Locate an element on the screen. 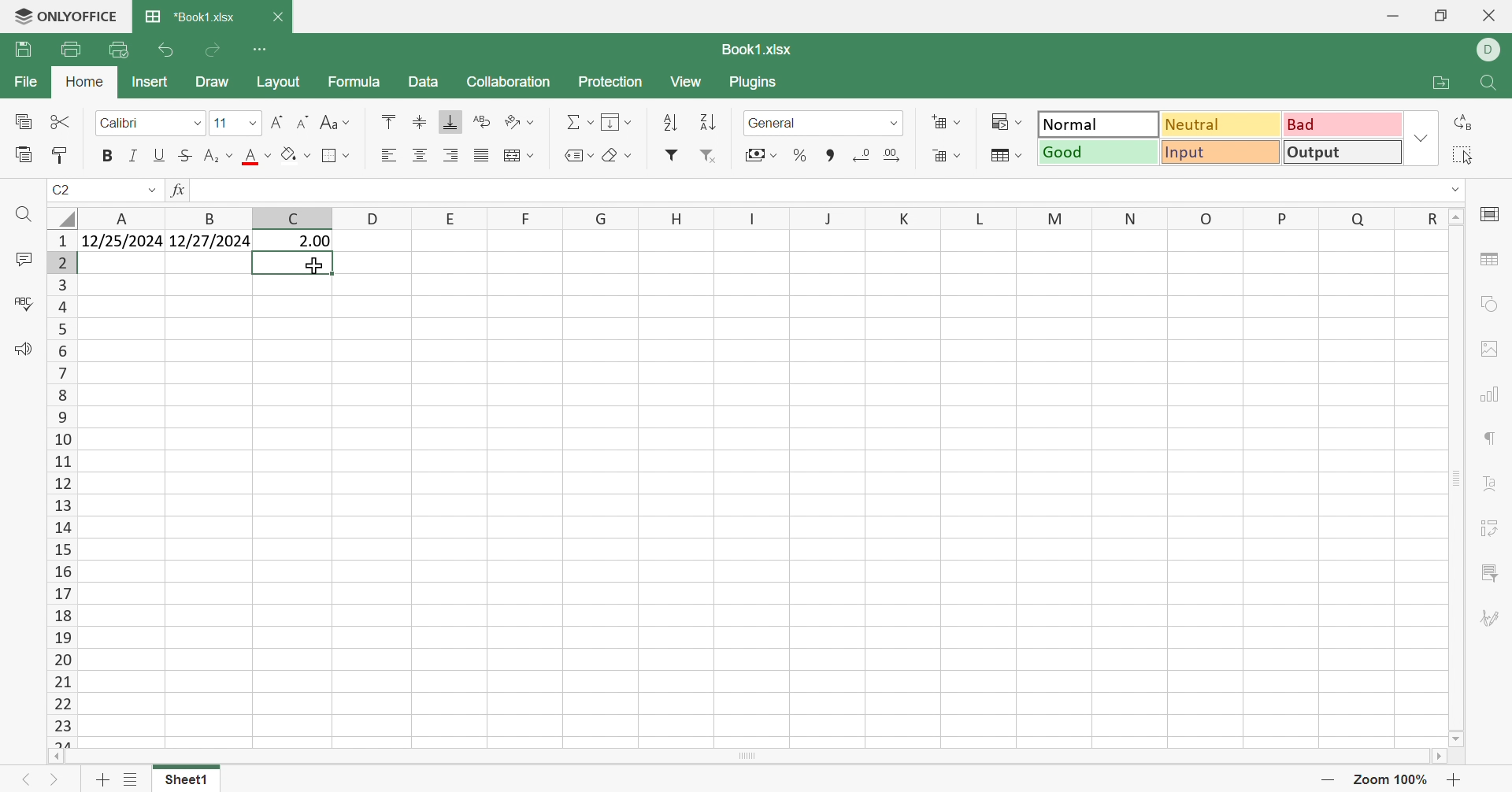 Image resolution: width=1512 pixels, height=792 pixels. 12/25/2024 is located at coordinates (124, 242).